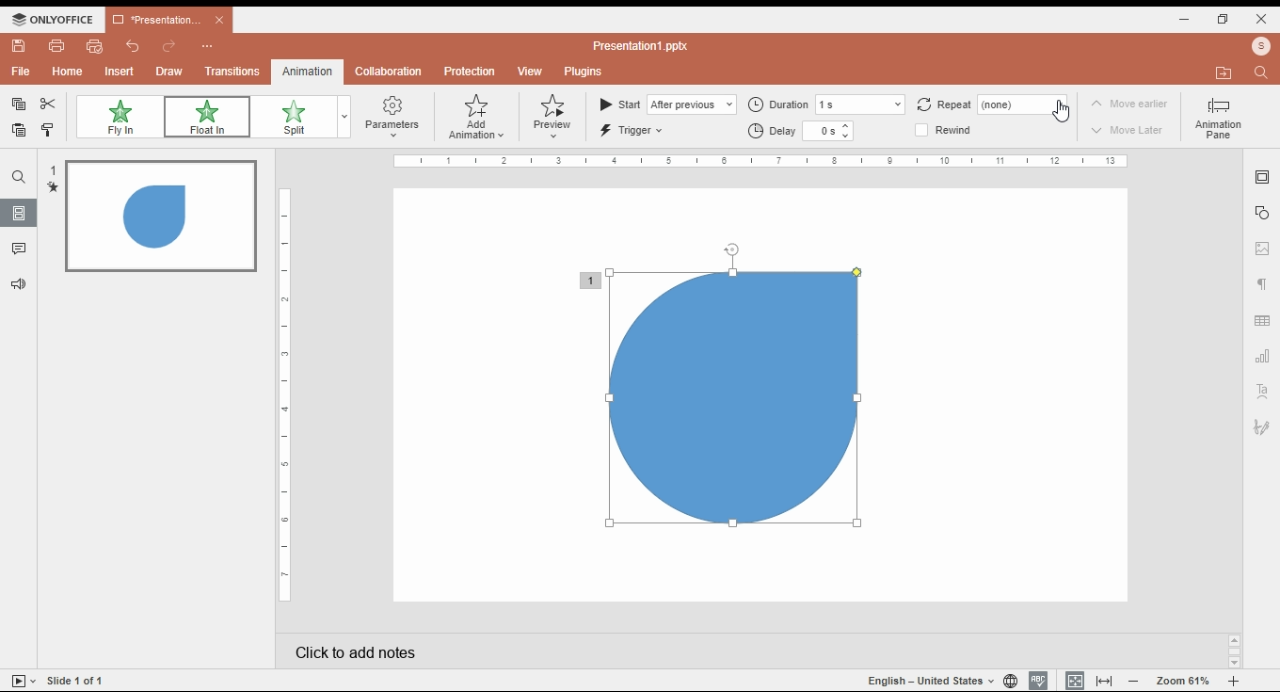 Image resolution: width=1280 pixels, height=692 pixels. I want to click on open file location, so click(1261, 47).